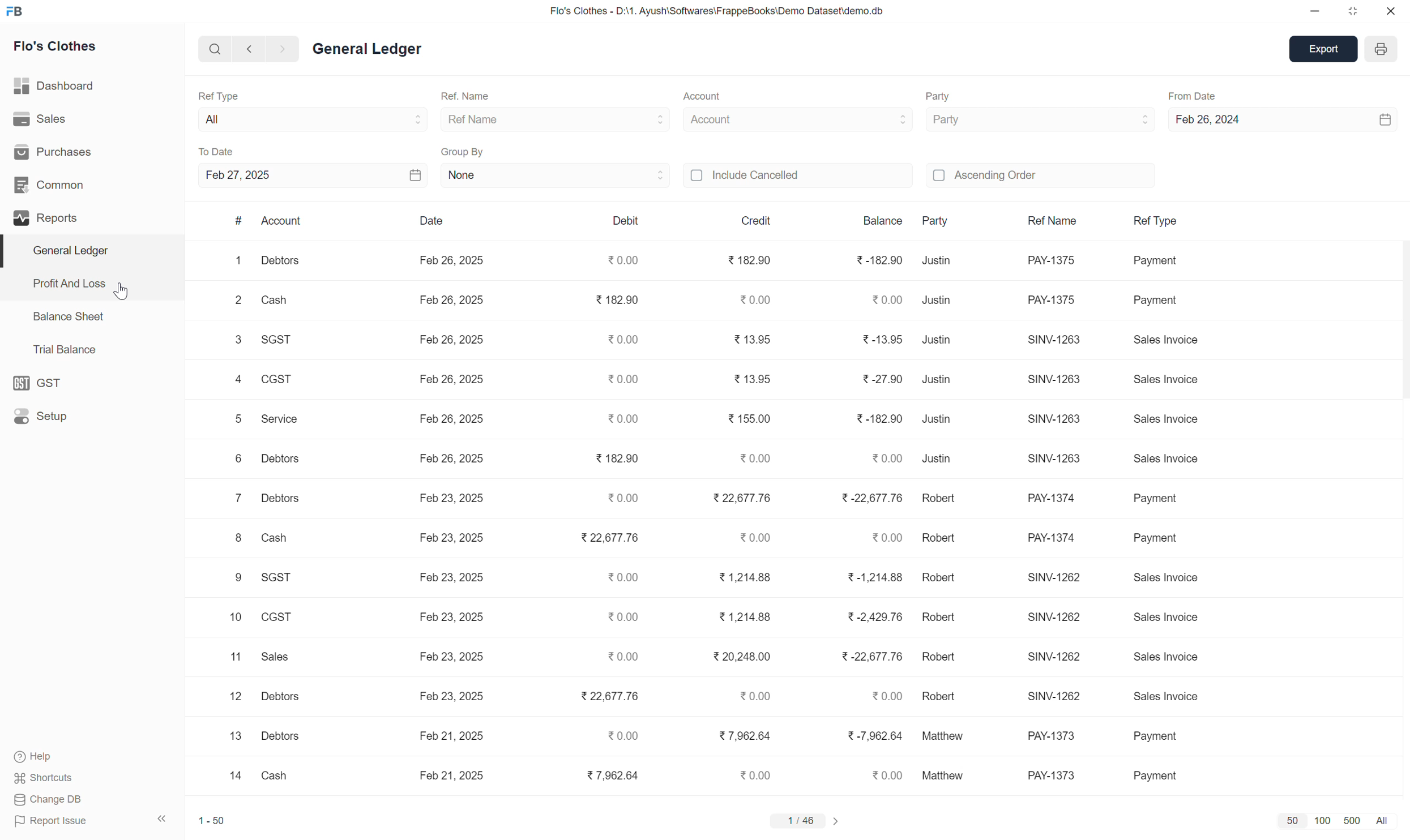  What do you see at coordinates (55, 151) in the screenshot?
I see `purchases` at bounding box center [55, 151].